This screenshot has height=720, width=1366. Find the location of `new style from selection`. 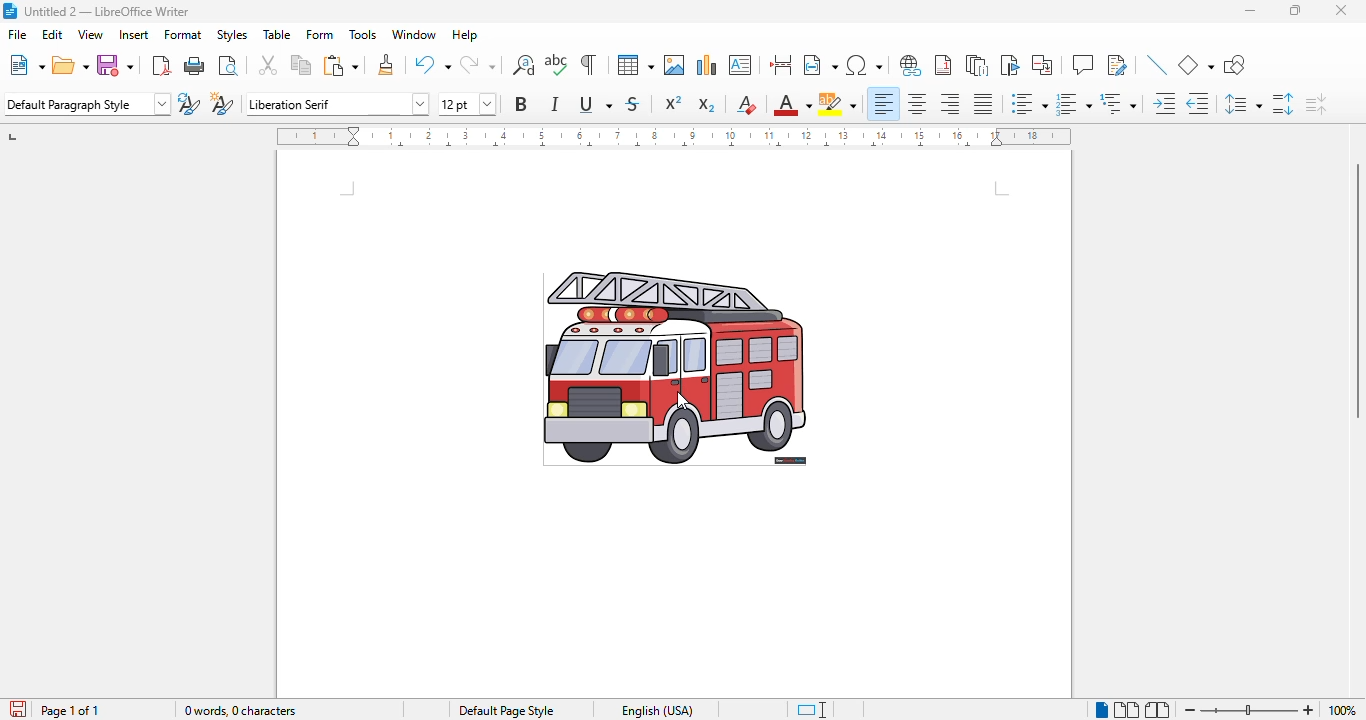

new style from selection is located at coordinates (222, 103).